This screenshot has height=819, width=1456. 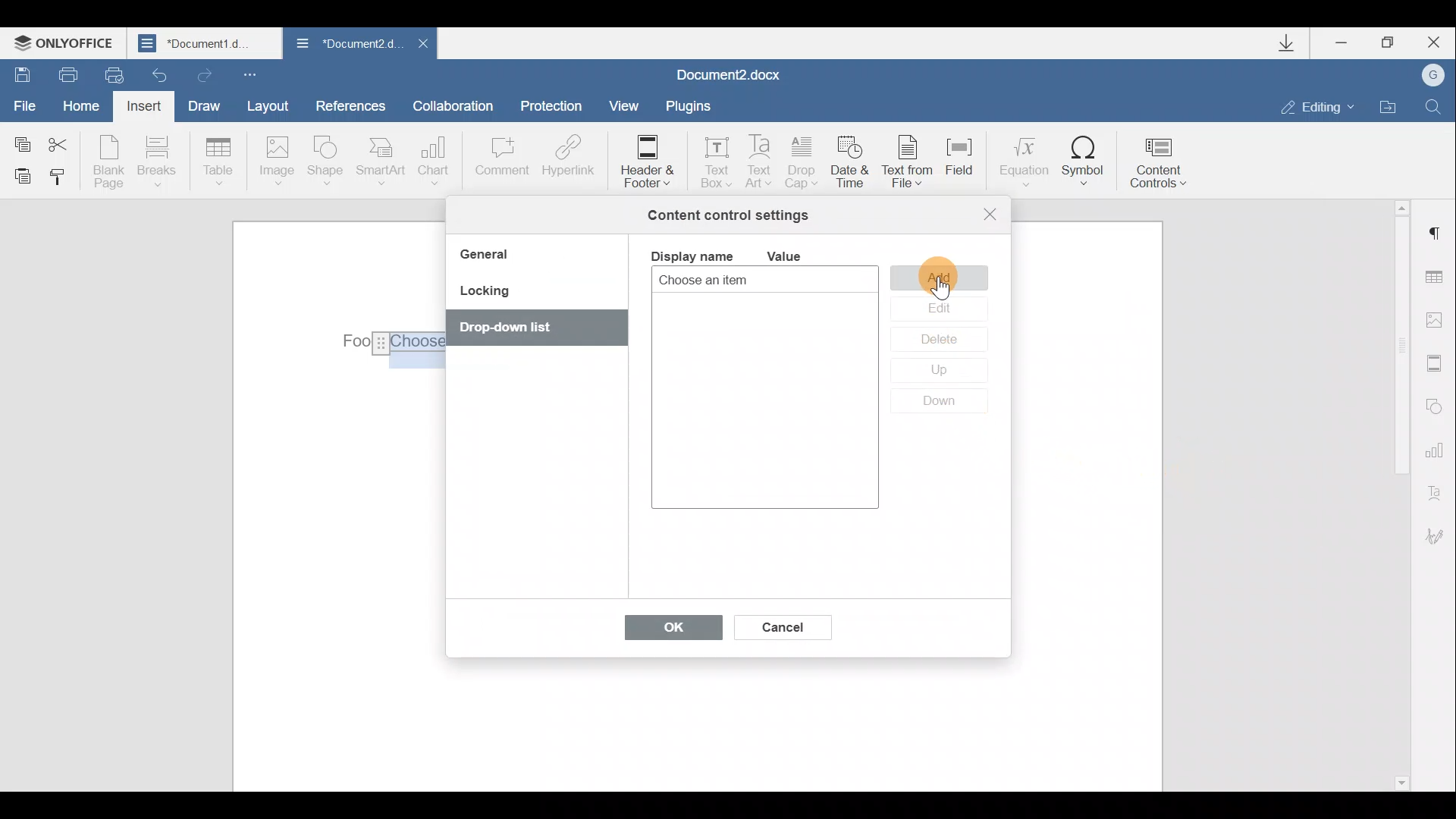 I want to click on File, so click(x=26, y=104).